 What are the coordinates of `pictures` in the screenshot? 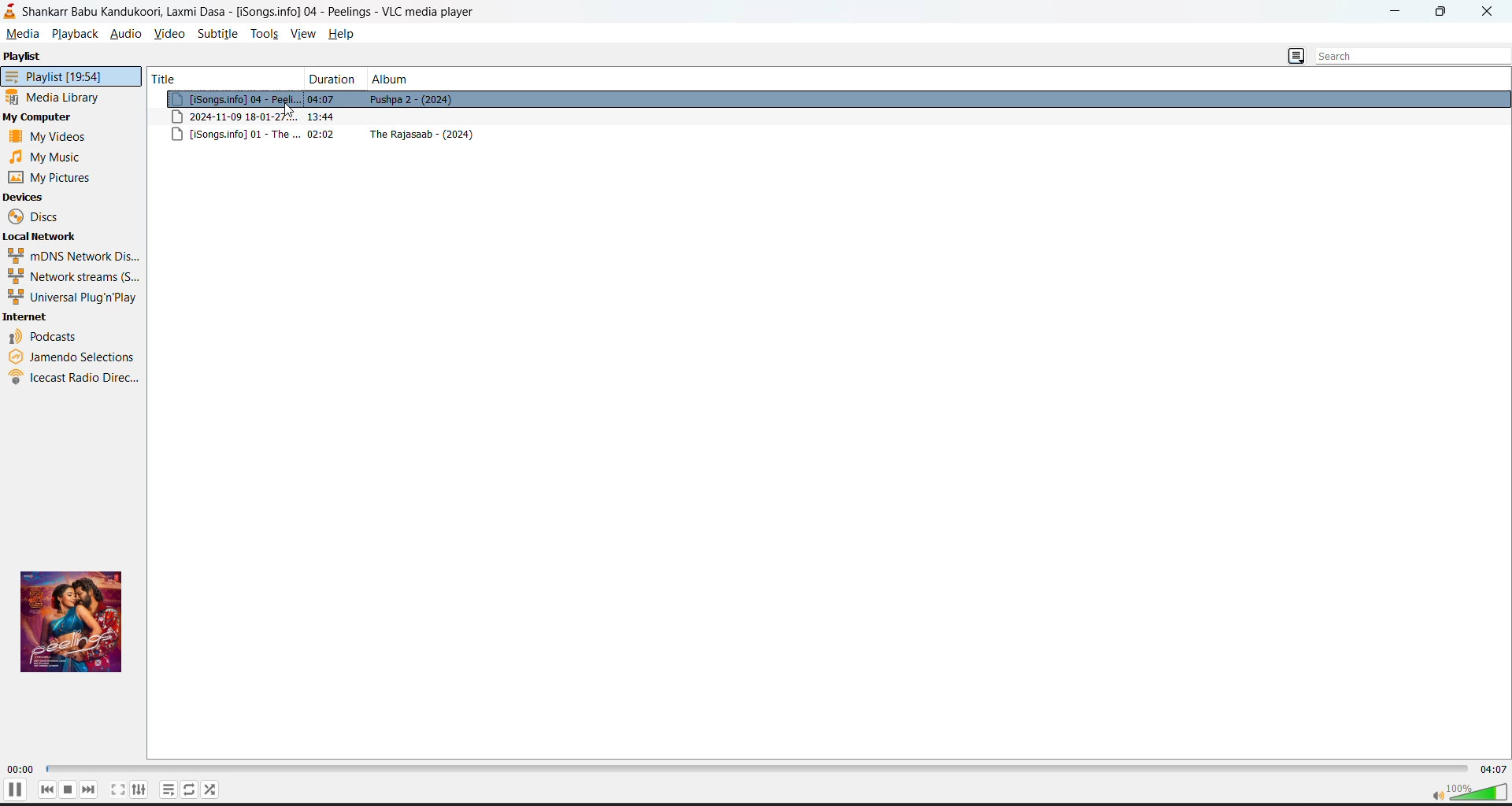 It's located at (52, 177).